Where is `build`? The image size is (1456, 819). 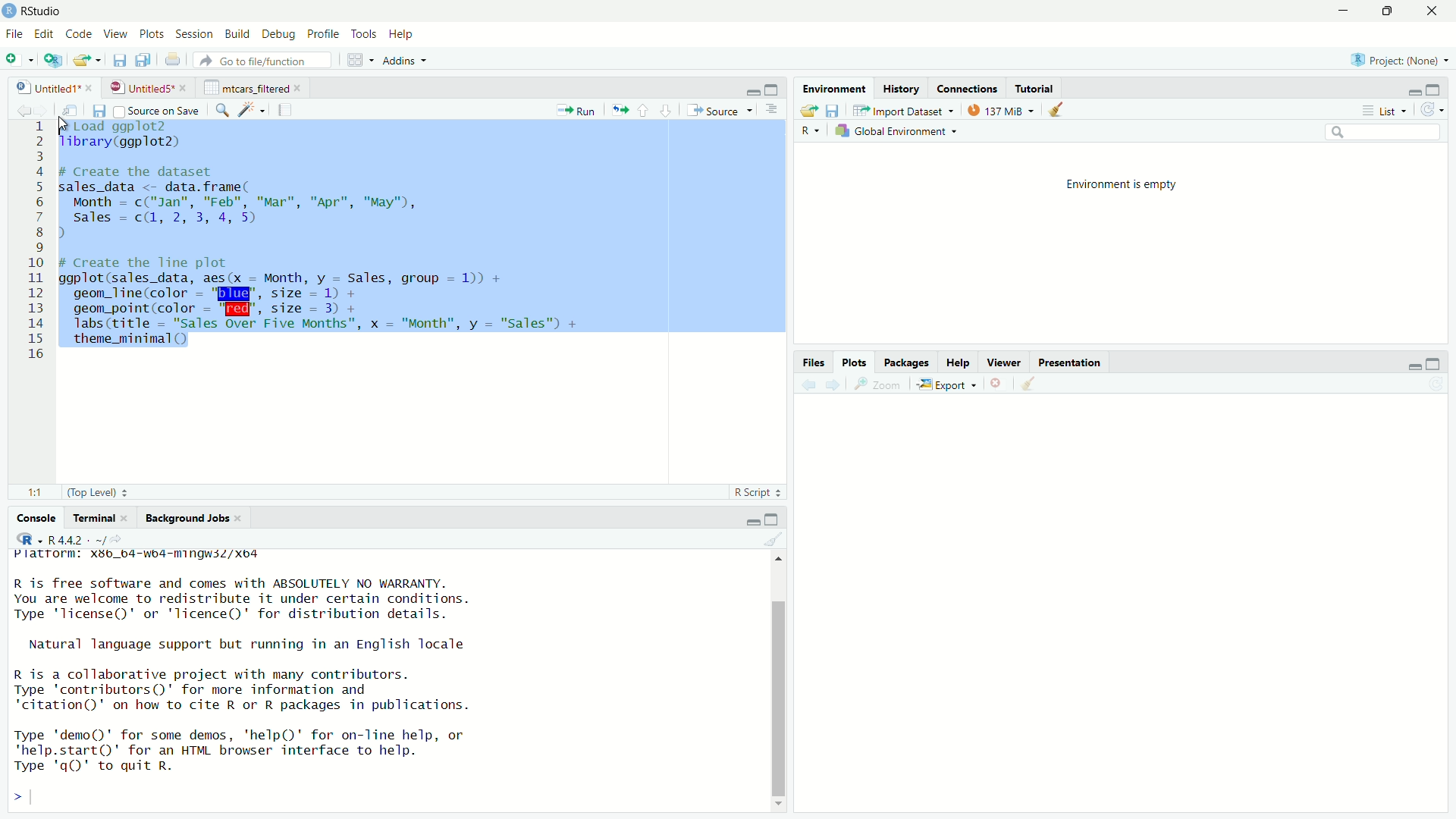
build is located at coordinates (239, 34).